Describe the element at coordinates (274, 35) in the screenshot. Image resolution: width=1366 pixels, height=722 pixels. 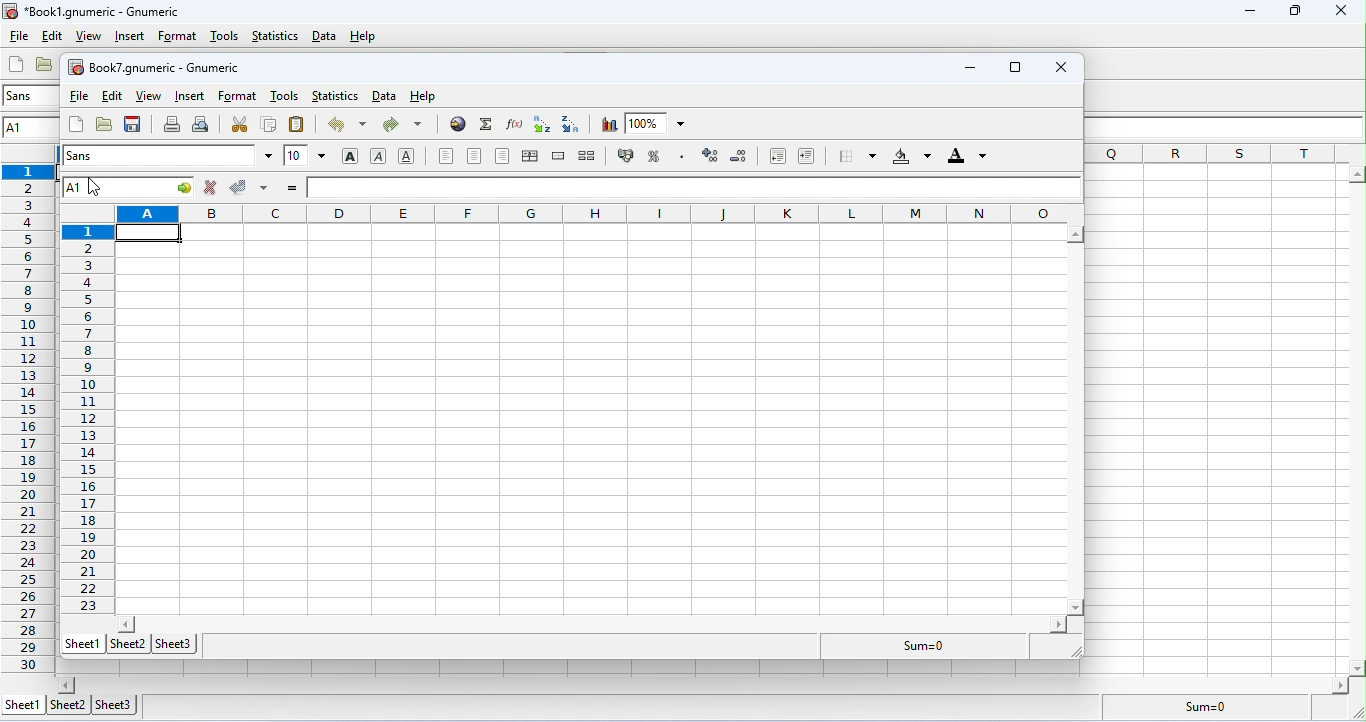
I see `statistics` at that location.